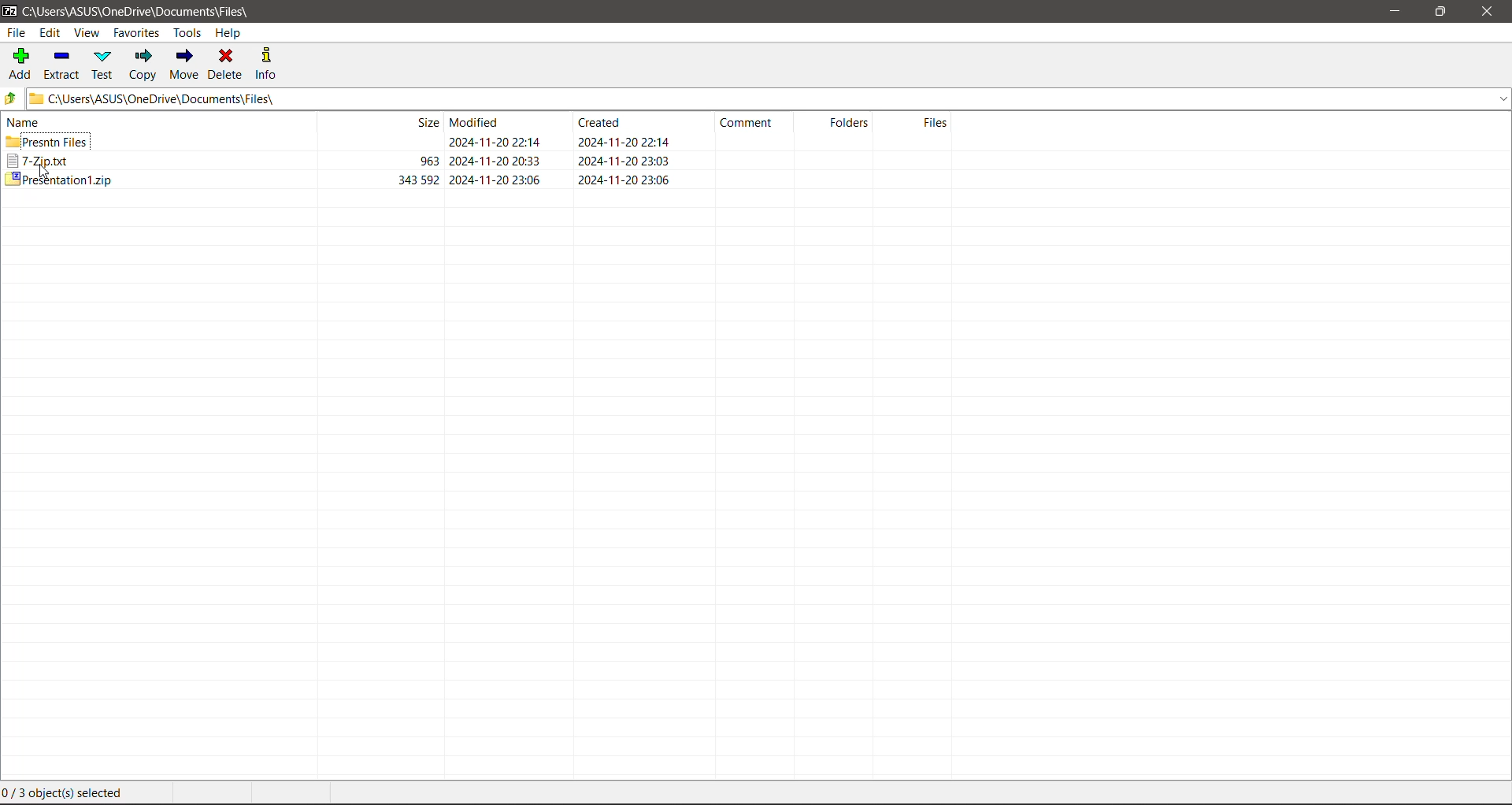  I want to click on Comment, so click(751, 125).